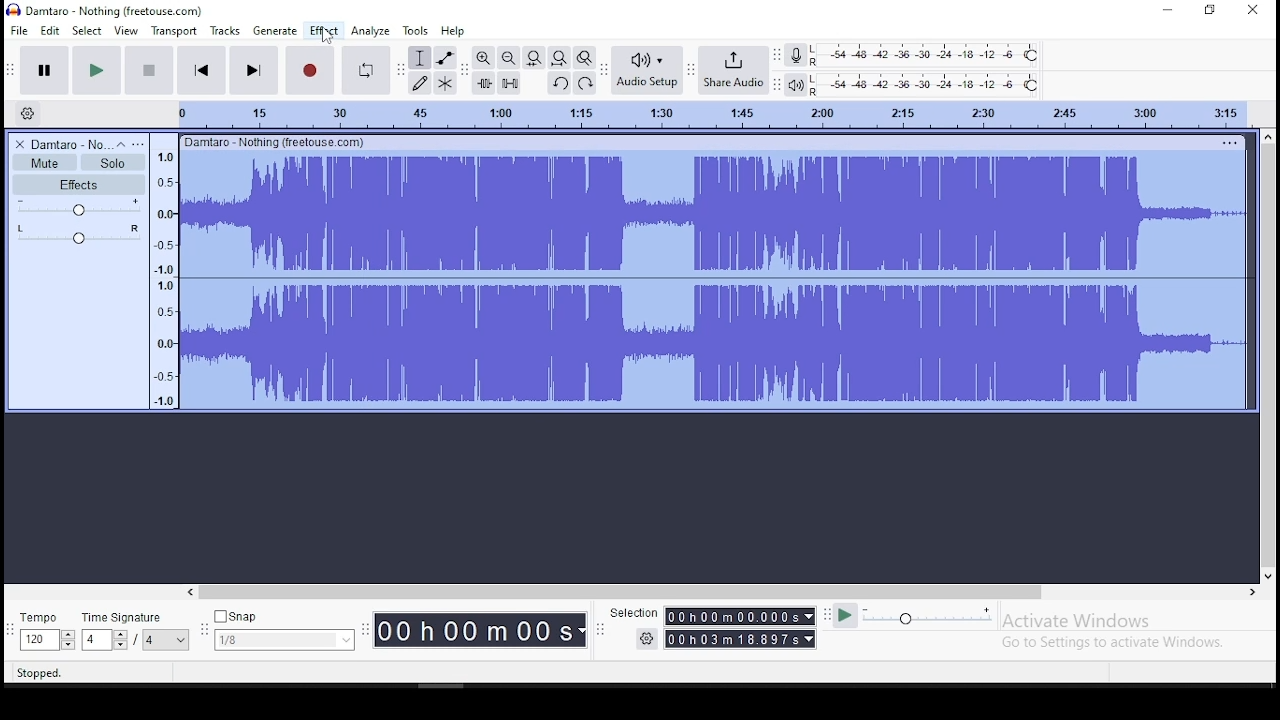  What do you see at coordinates (1267, 575) in the screenshot?
I see `down` at bounding box center [1267, 575].